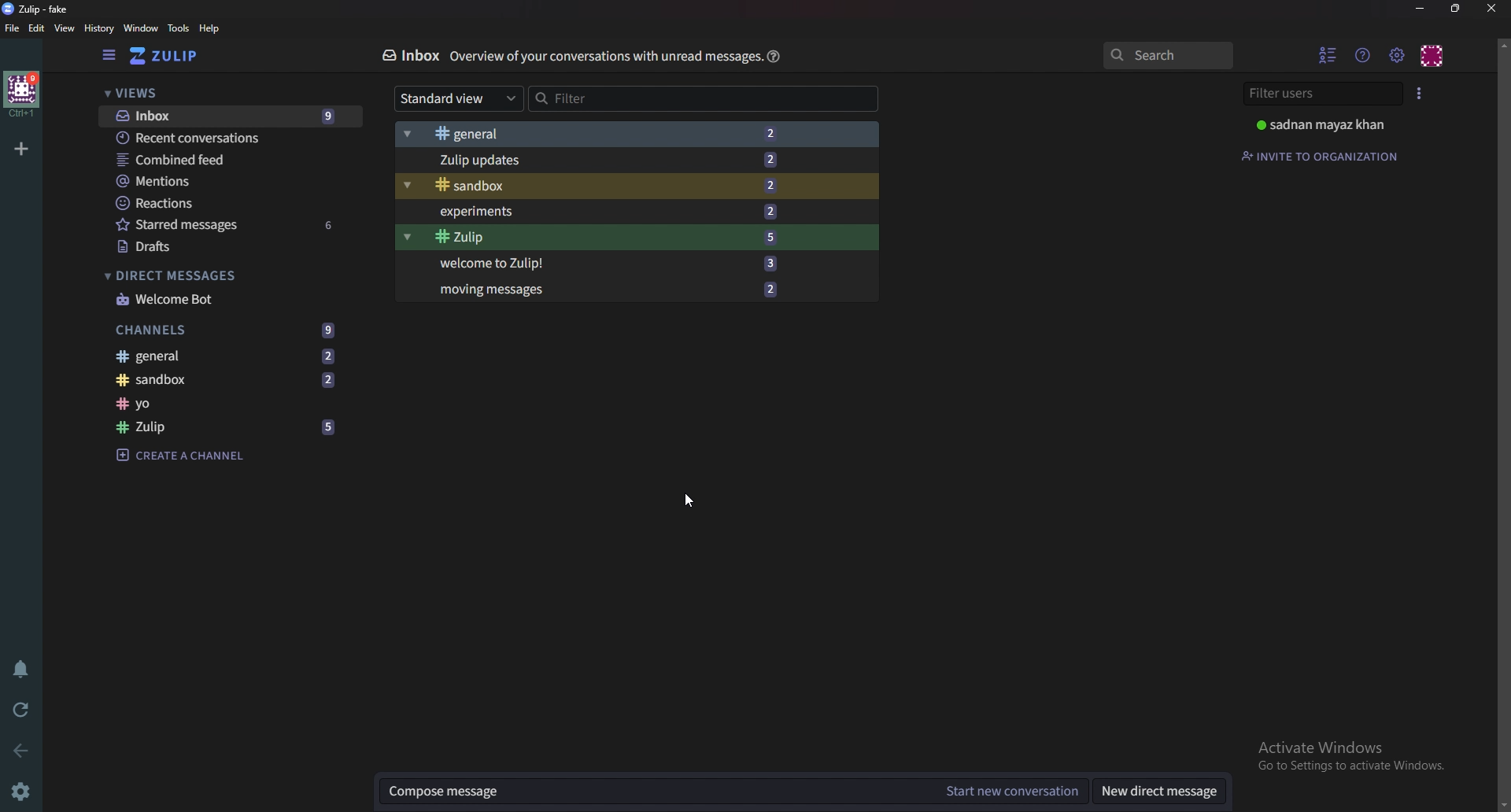  Describe the element at coordinates (106, 56) in the screenshot. I see `Hide left sidebar` at that location.